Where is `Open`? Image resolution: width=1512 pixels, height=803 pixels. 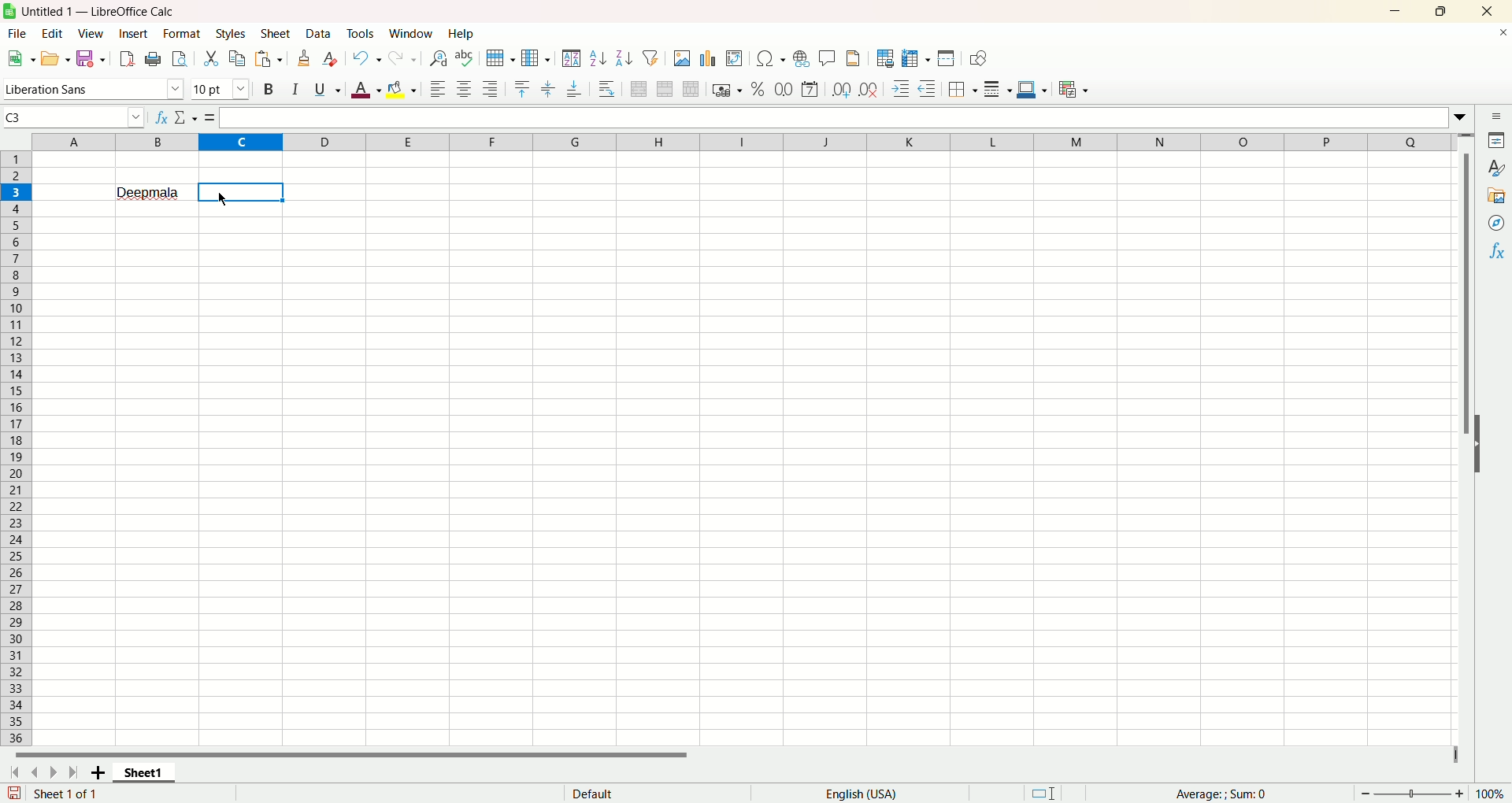
Open is located at coordinates (57, 57).